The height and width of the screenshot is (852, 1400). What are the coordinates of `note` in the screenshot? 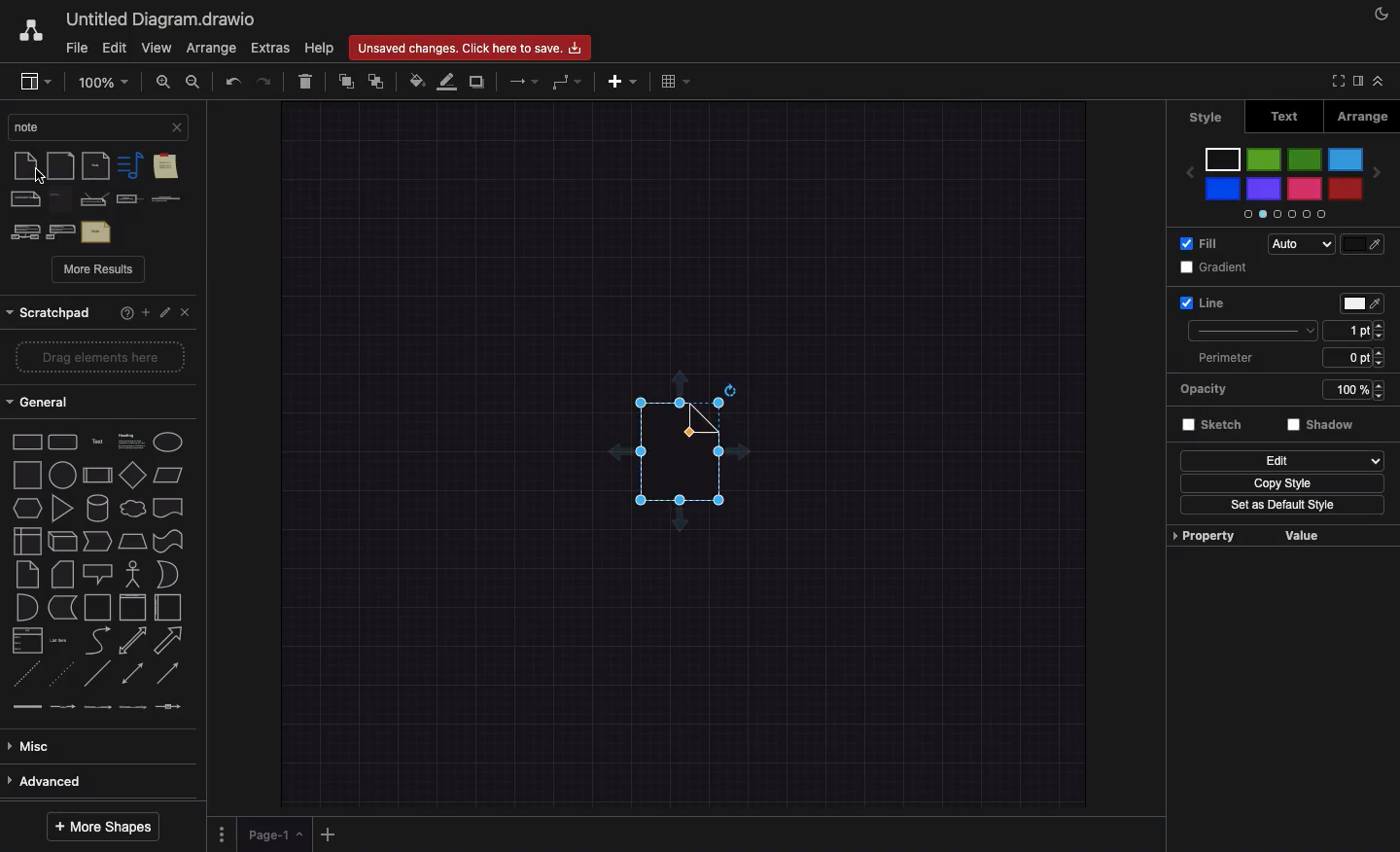 It's located at (62, 199).